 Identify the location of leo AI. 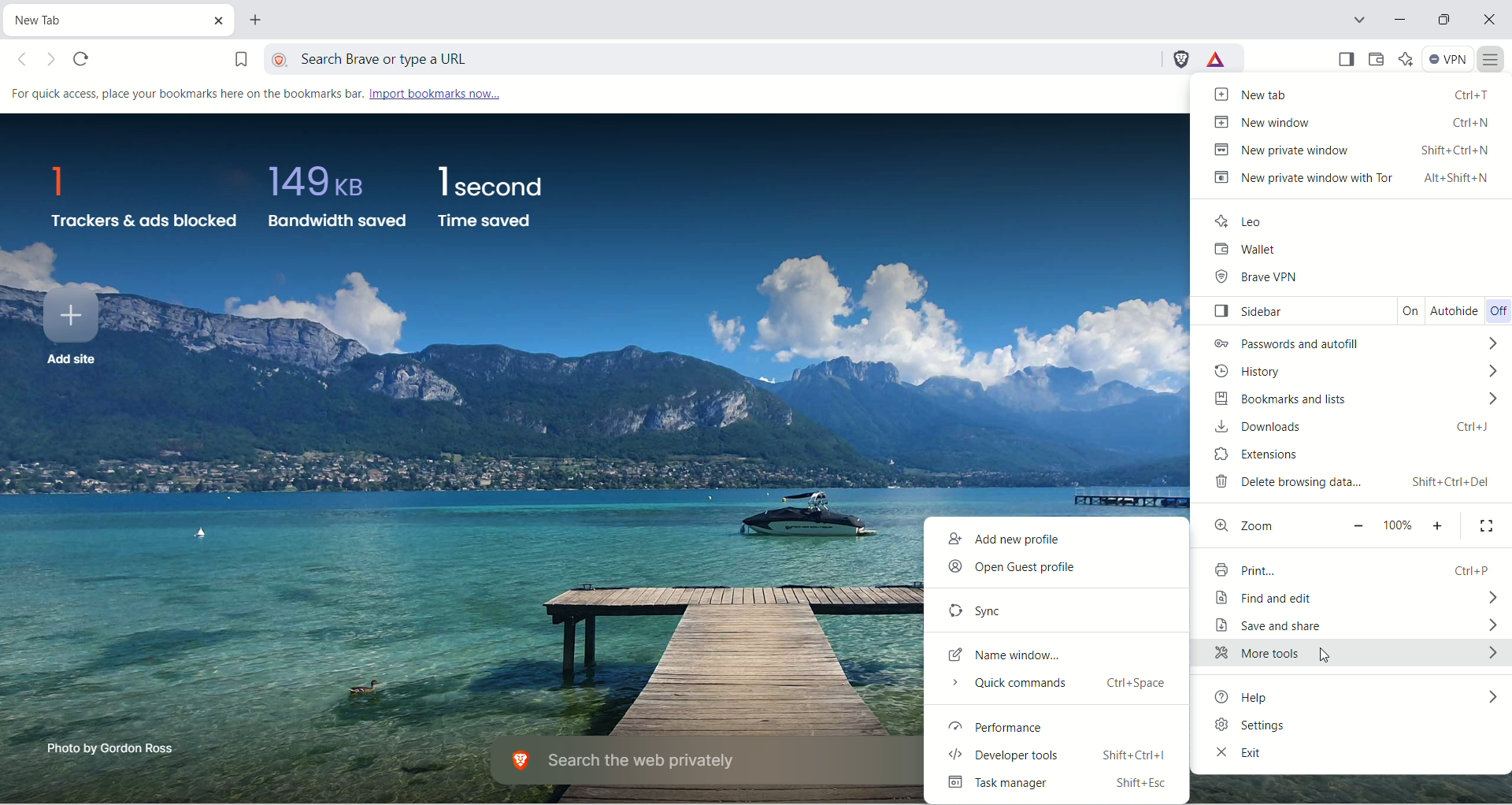
(1406, 57).